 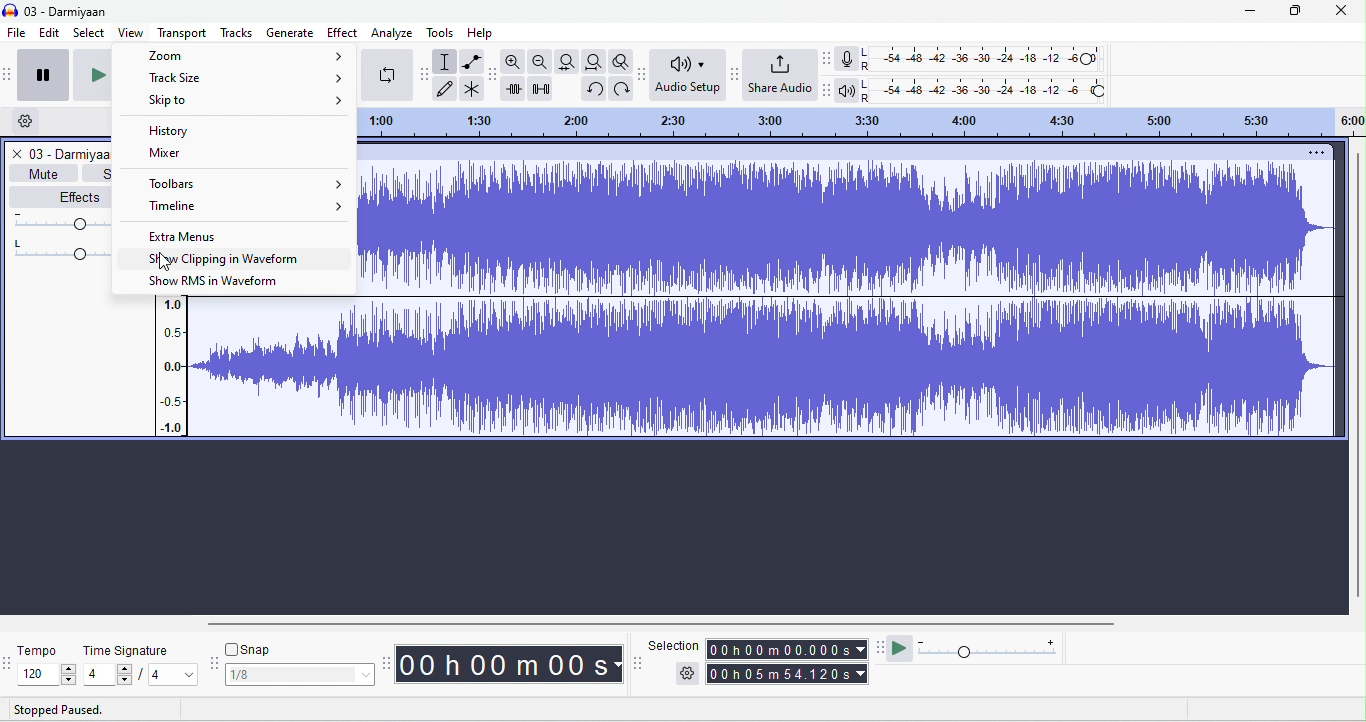 I want to click on time signature, so click(x=129, y=651).